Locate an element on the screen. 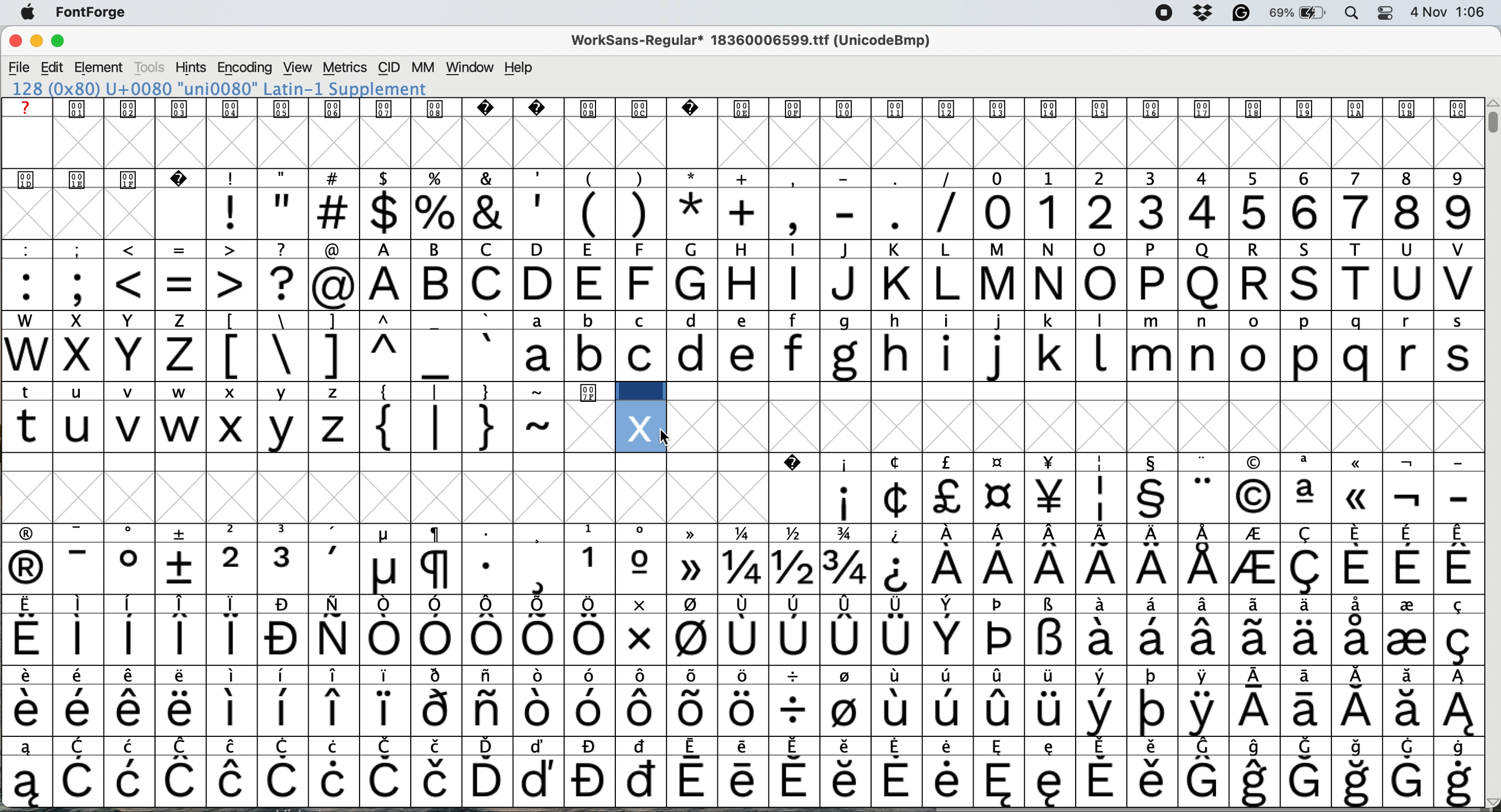  t u v w: lower case letters is located at coordinates (106, 428).